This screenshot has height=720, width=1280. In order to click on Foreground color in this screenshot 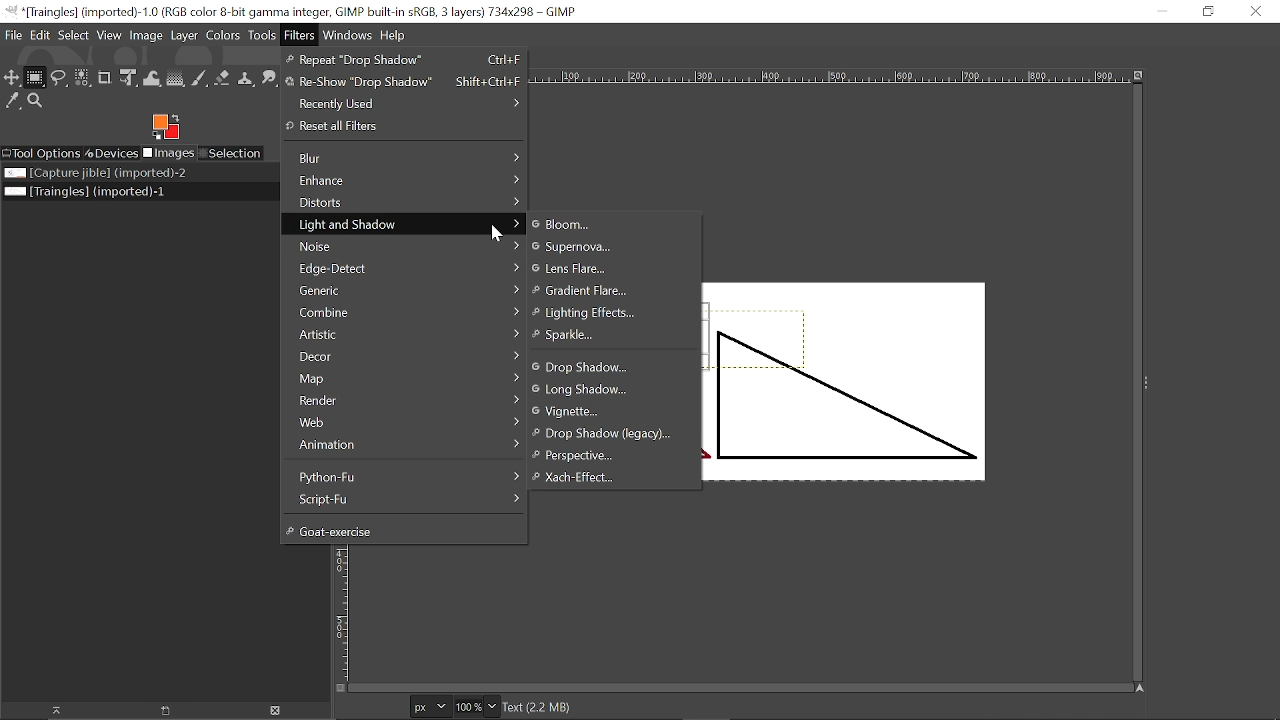, I will do `click(168, 126)`.